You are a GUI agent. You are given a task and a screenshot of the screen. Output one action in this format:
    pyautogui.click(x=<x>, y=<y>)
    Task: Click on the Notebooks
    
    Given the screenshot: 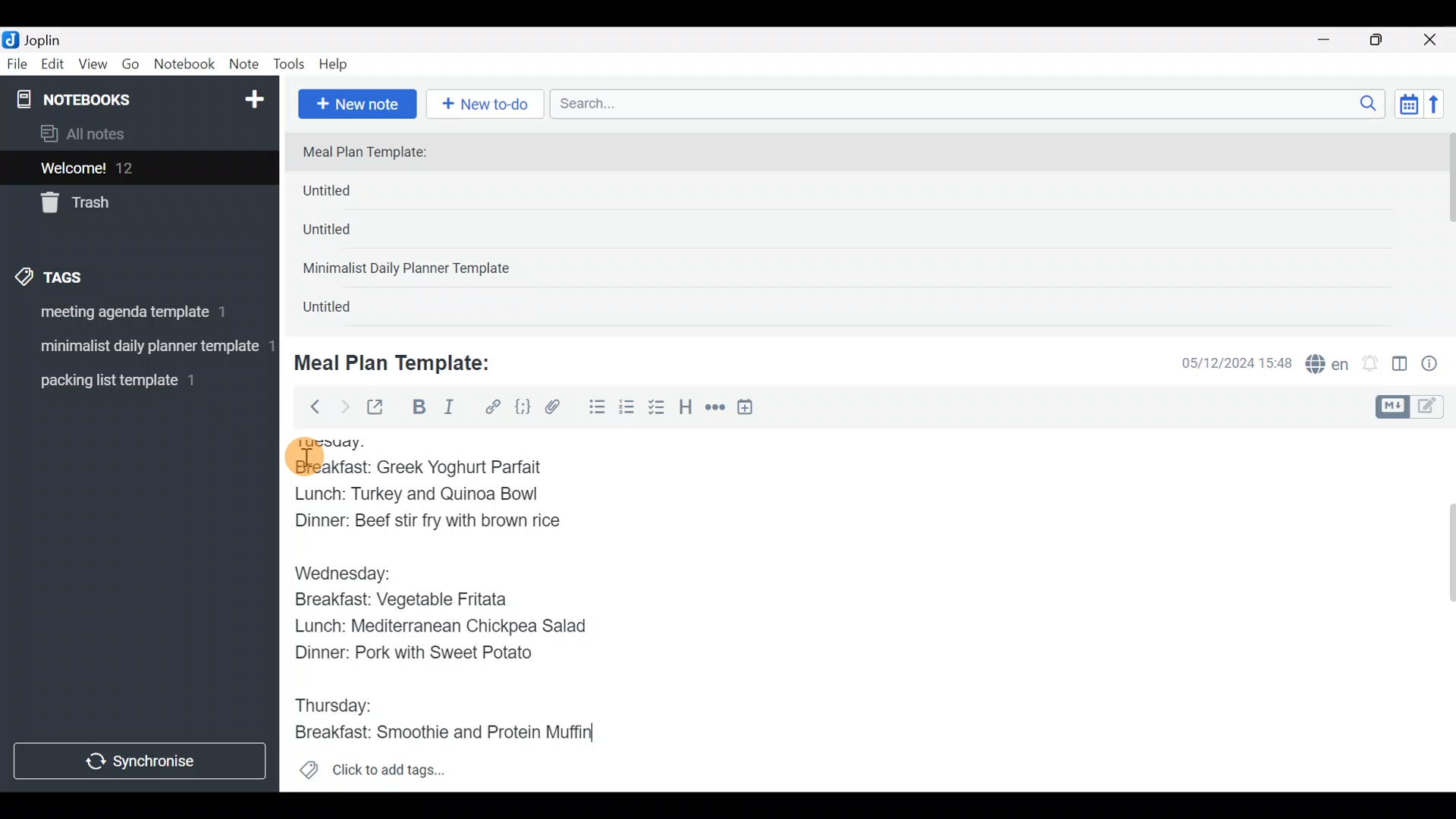 What is the action you would take?
    pyautogui.click(x=107, y=99)
    